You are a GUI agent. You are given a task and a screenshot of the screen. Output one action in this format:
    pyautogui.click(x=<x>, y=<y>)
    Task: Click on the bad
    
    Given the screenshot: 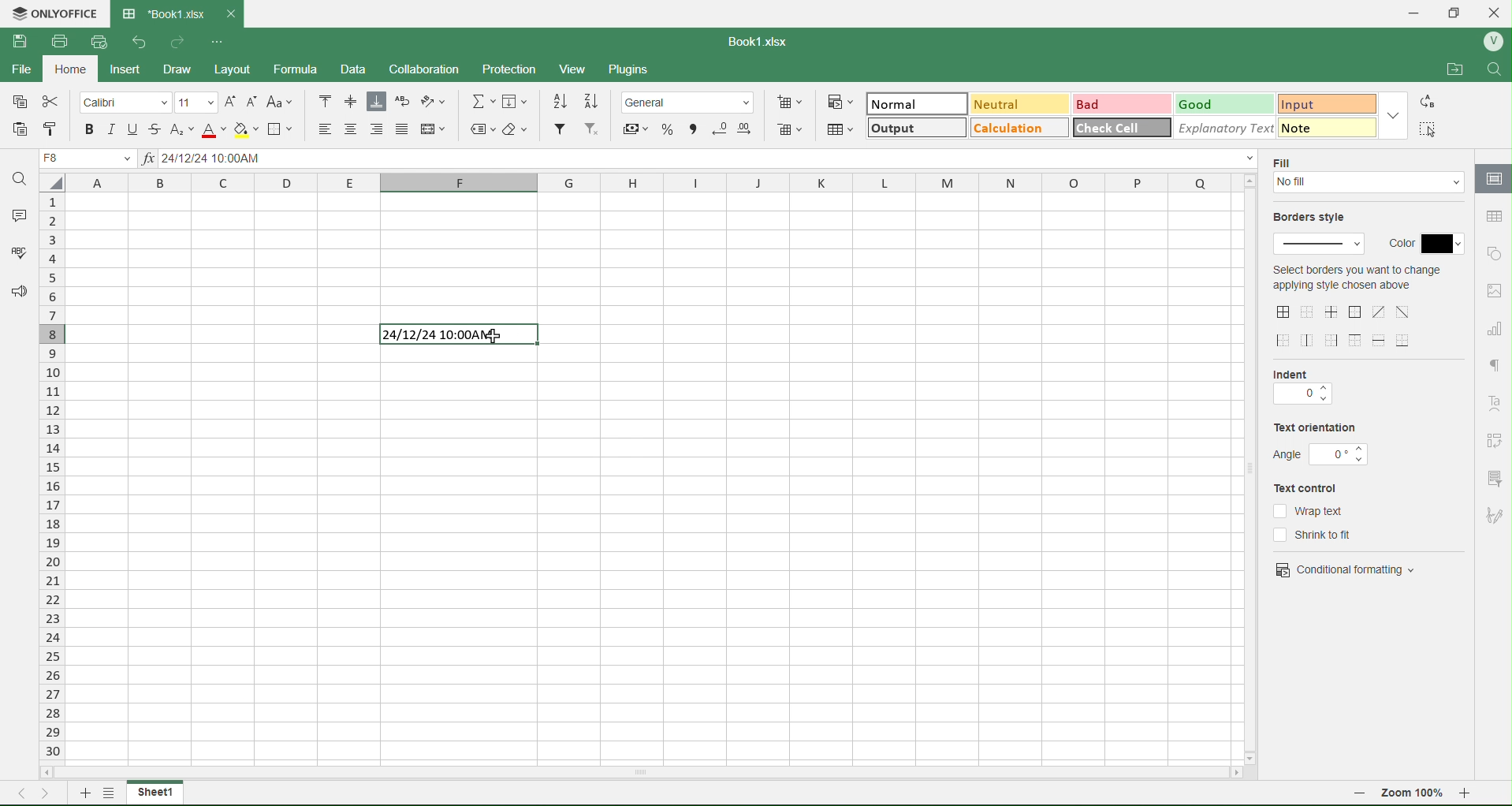 What is the action you would take?
    pyautogui.click(x=1092, y=103)
    